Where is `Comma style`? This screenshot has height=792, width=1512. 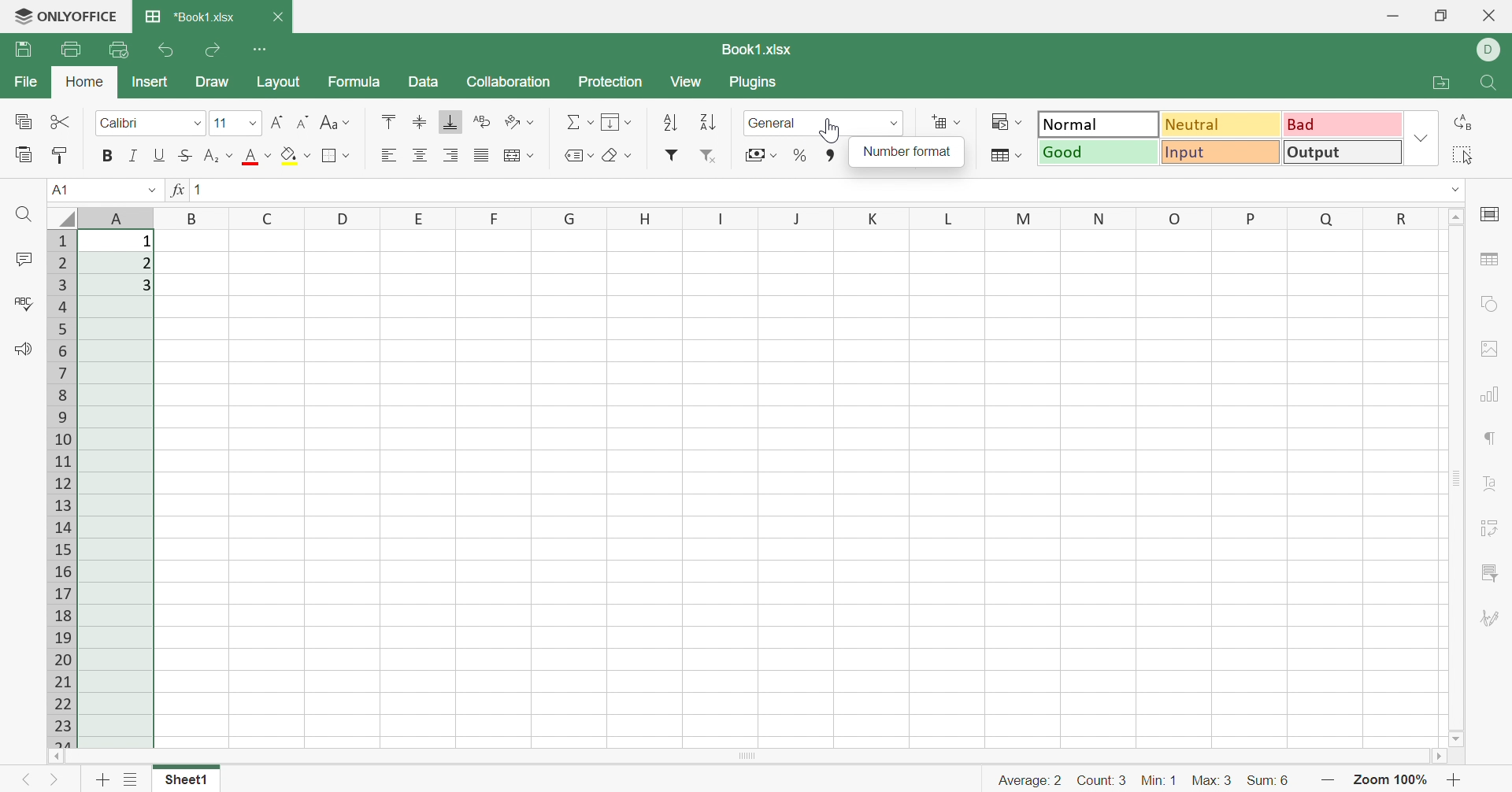 Comma style is located at coordinates (829, 156).